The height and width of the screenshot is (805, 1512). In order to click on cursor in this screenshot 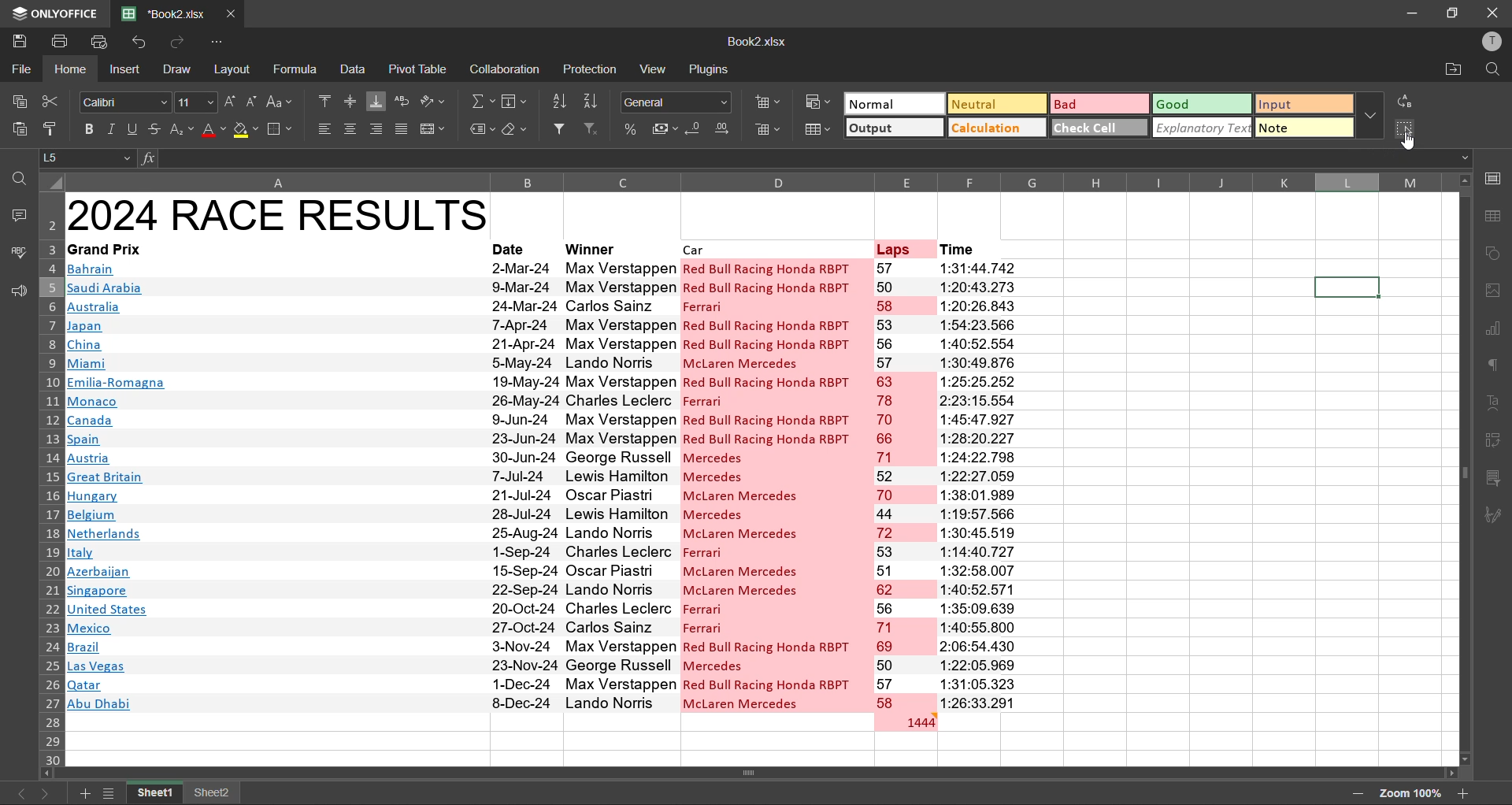, I will do `click(1410, 142)`.